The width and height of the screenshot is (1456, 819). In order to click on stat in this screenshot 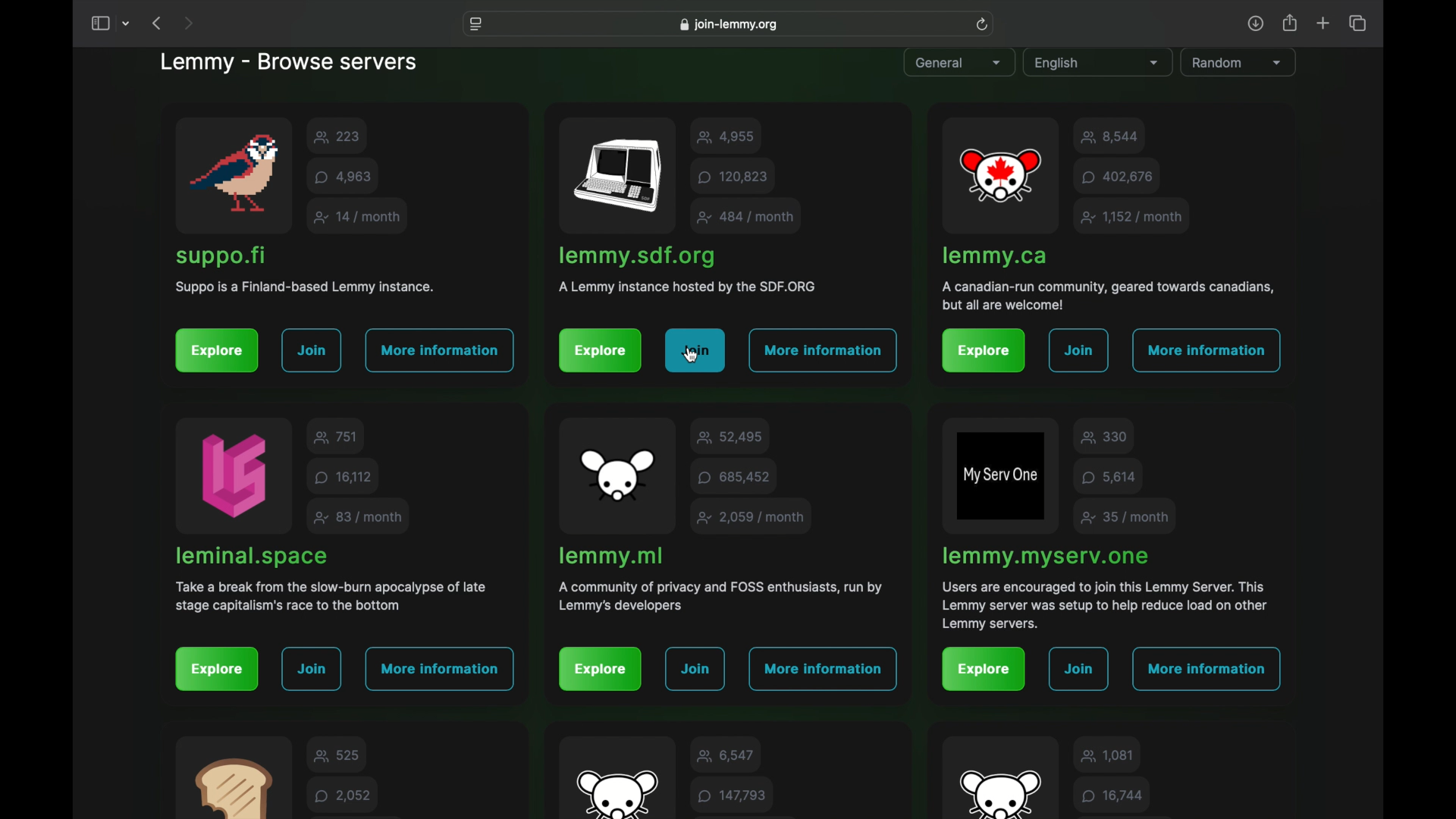, I will do `click(359, 518)`.